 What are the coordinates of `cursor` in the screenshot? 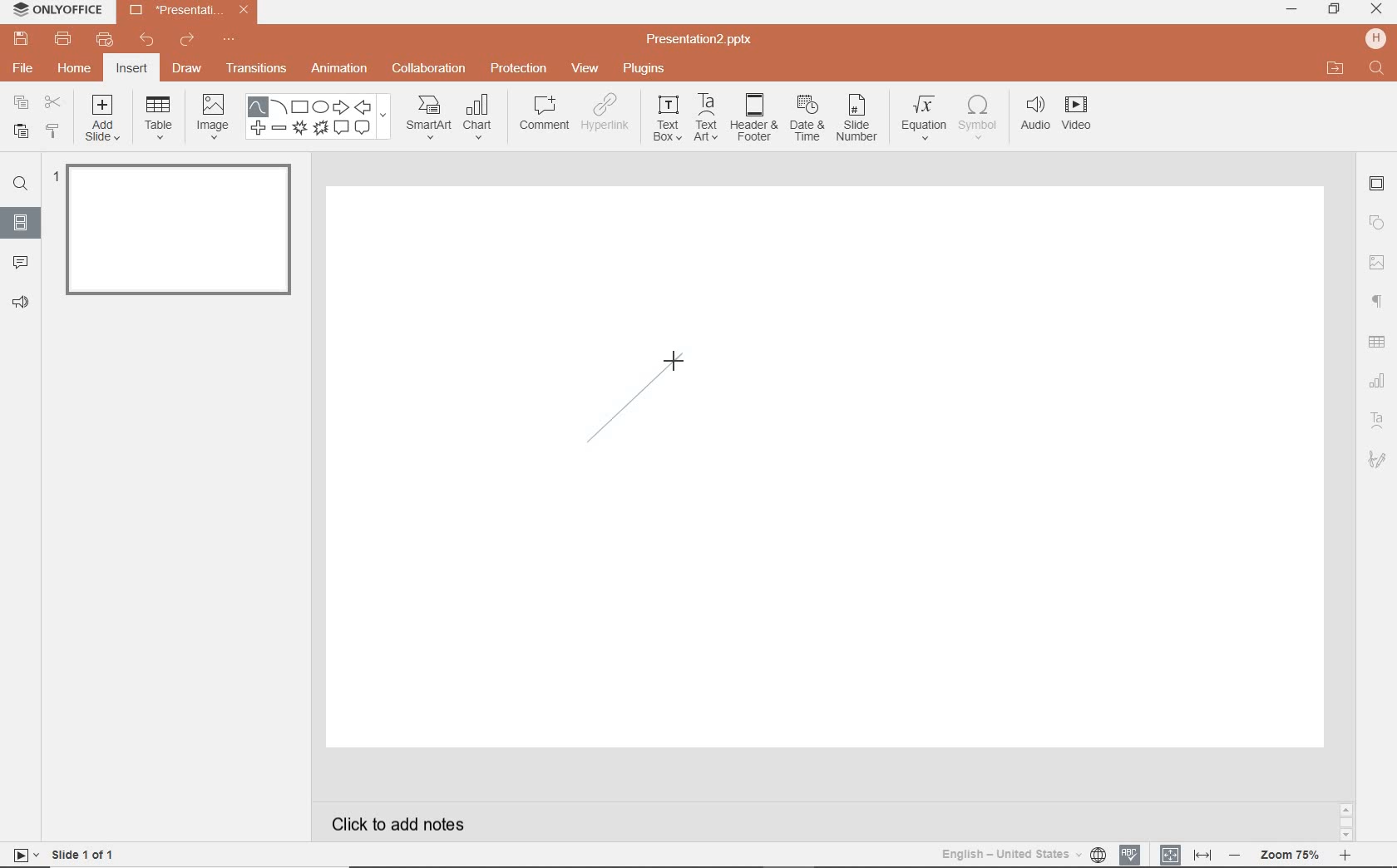 It's located at (674, 363).